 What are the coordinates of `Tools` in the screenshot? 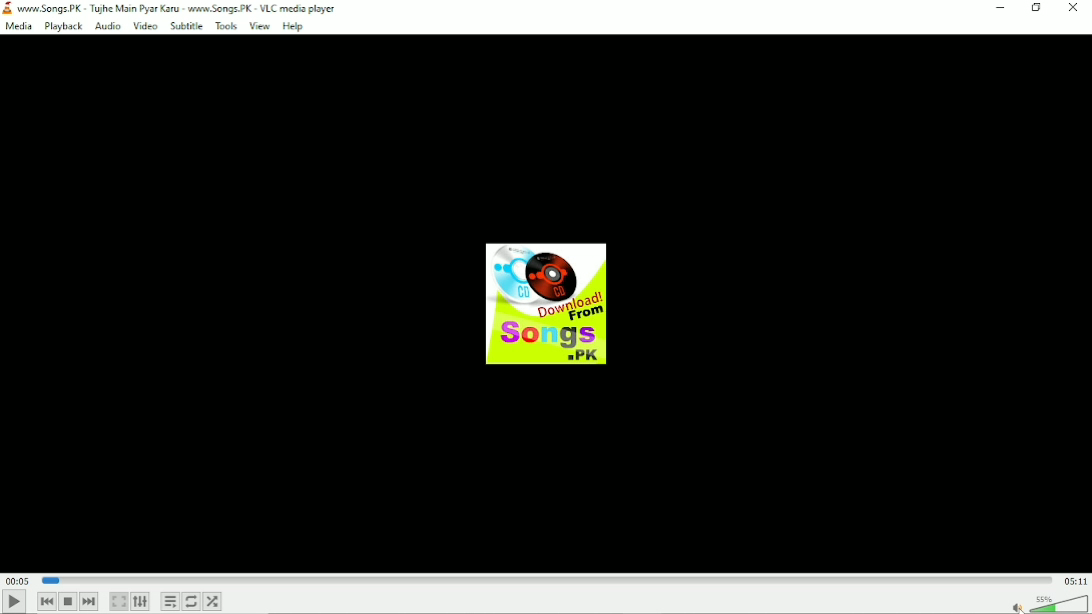 It's located at (225, 26).